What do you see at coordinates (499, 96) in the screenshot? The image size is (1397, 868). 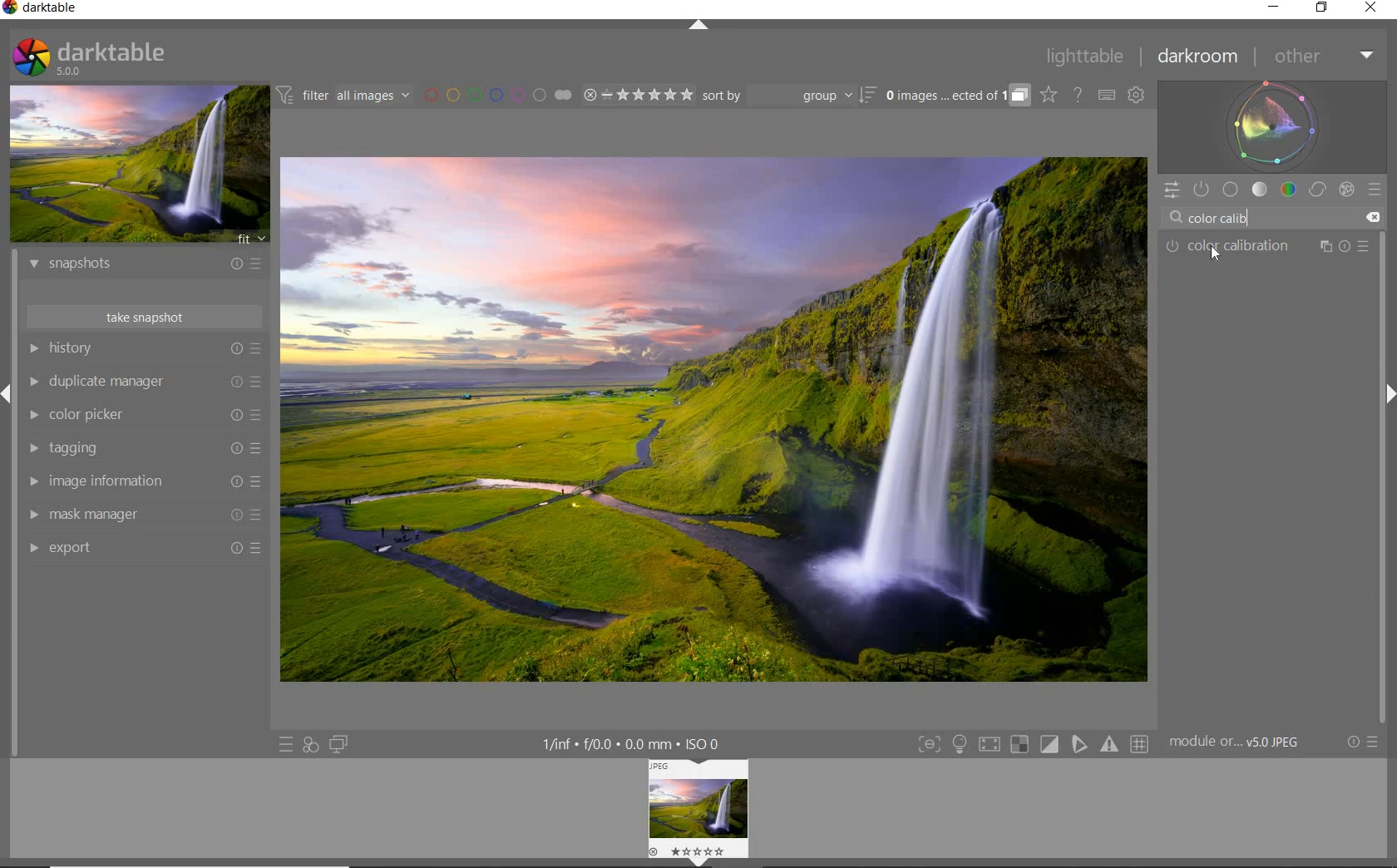 I see `FILTER BY IMAGE COLOR LABEL` at bounding box center [499, 96].